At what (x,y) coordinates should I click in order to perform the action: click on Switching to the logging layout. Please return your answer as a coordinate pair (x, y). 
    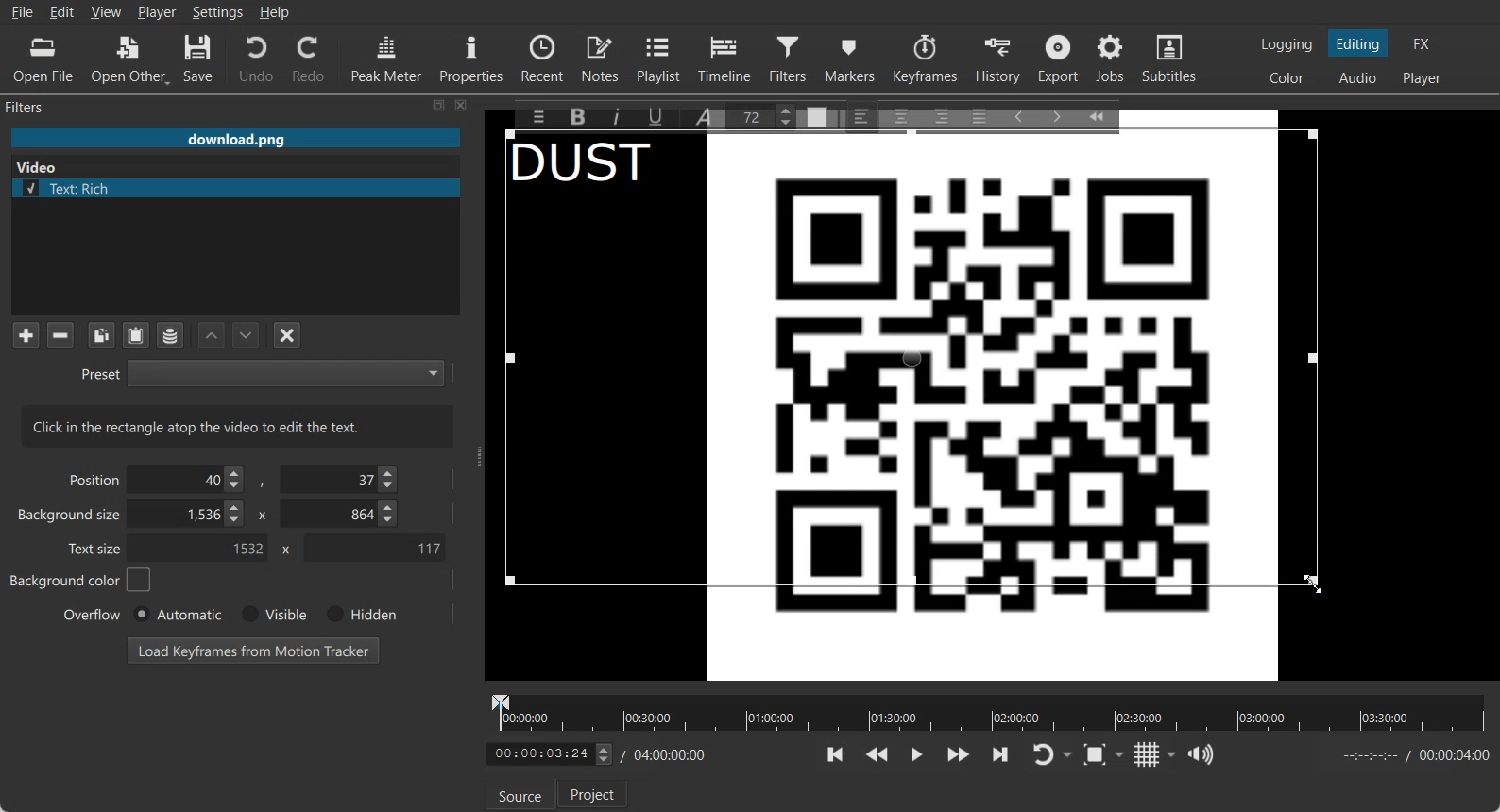
    Looking at the image, I should click on (1287, 44).